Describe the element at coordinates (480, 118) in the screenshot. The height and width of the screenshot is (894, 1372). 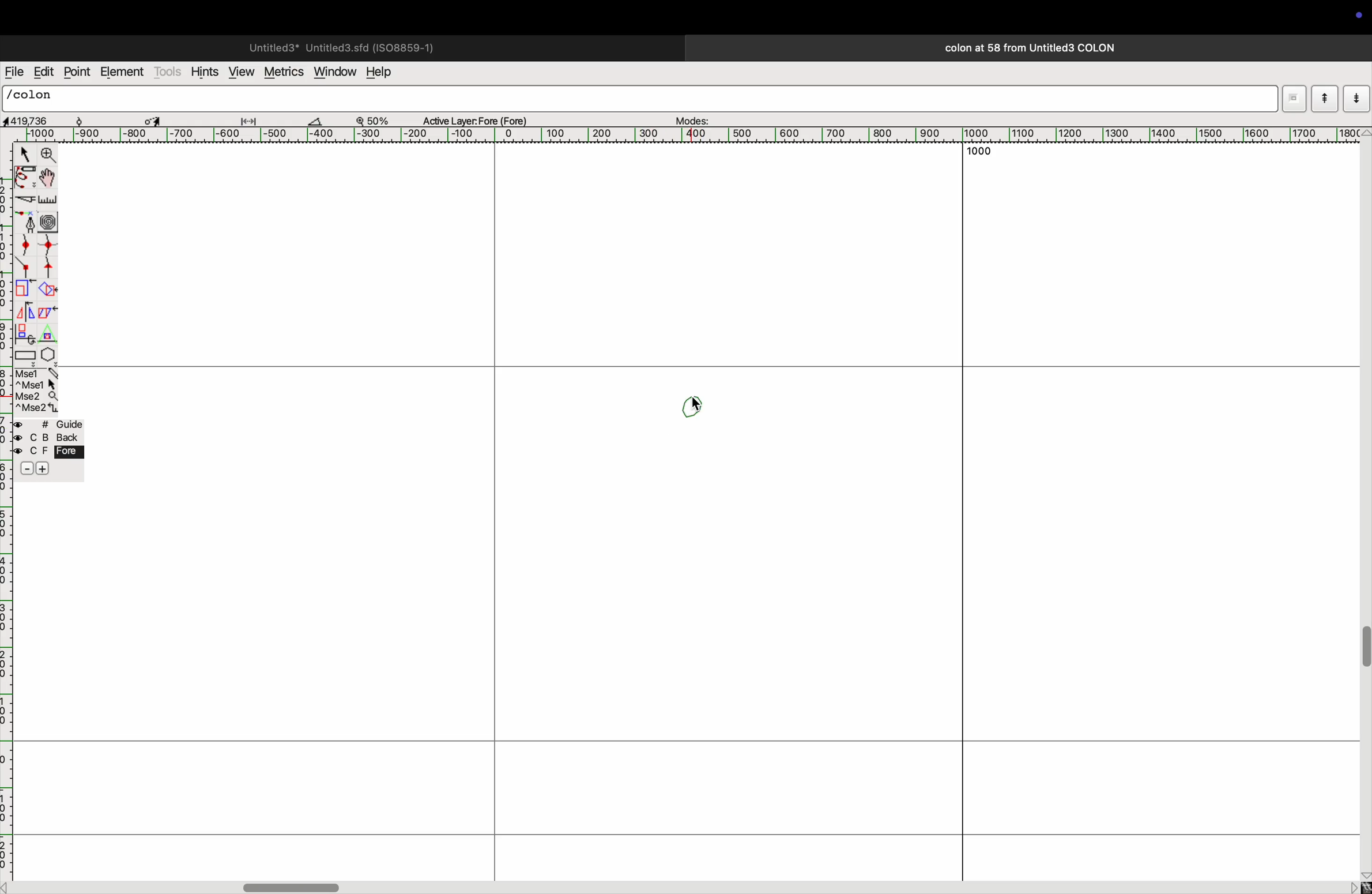
I see `active layer` at that location.